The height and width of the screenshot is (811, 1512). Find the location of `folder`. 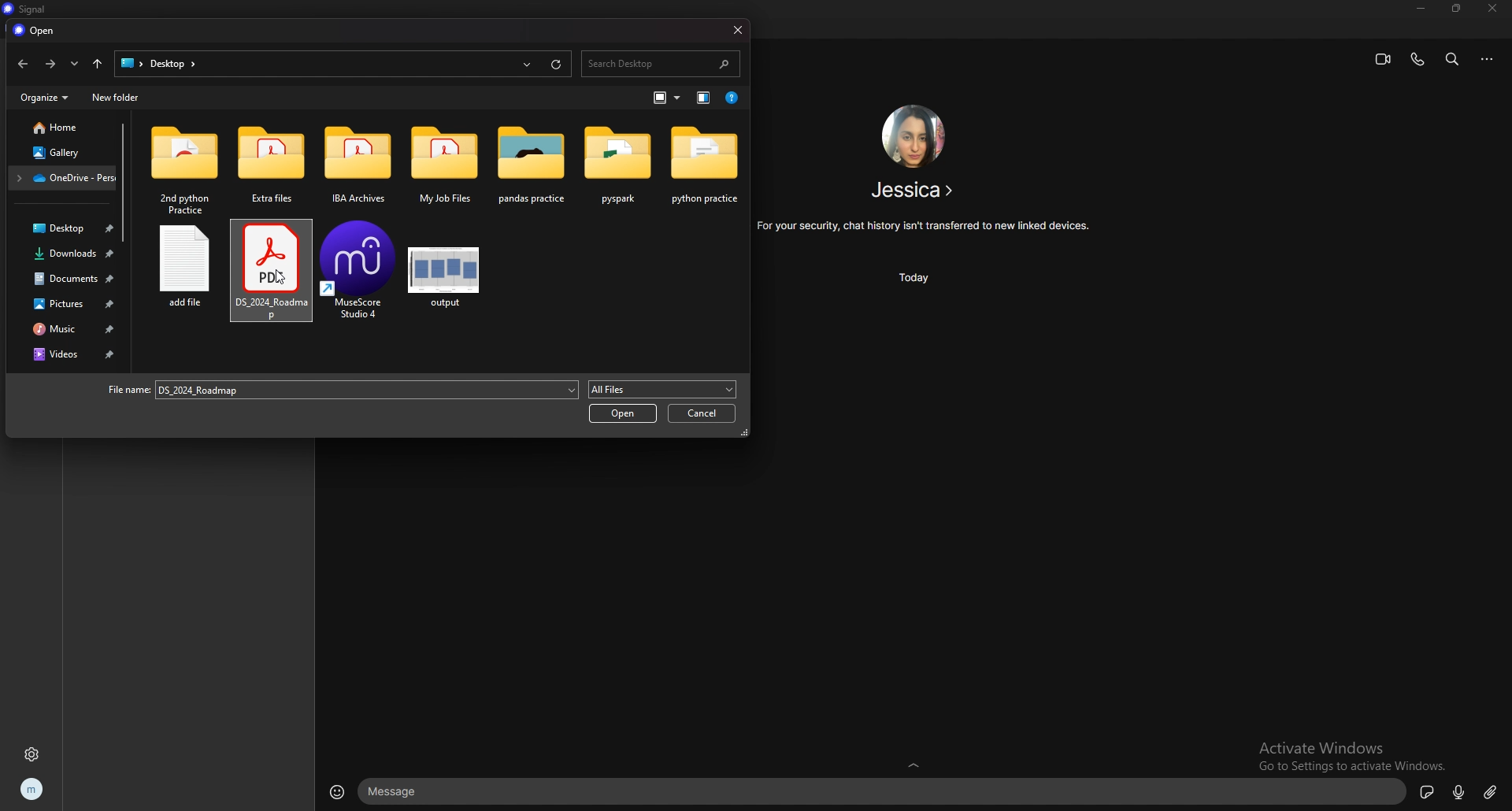

folder is located at coordinates (530, 168).